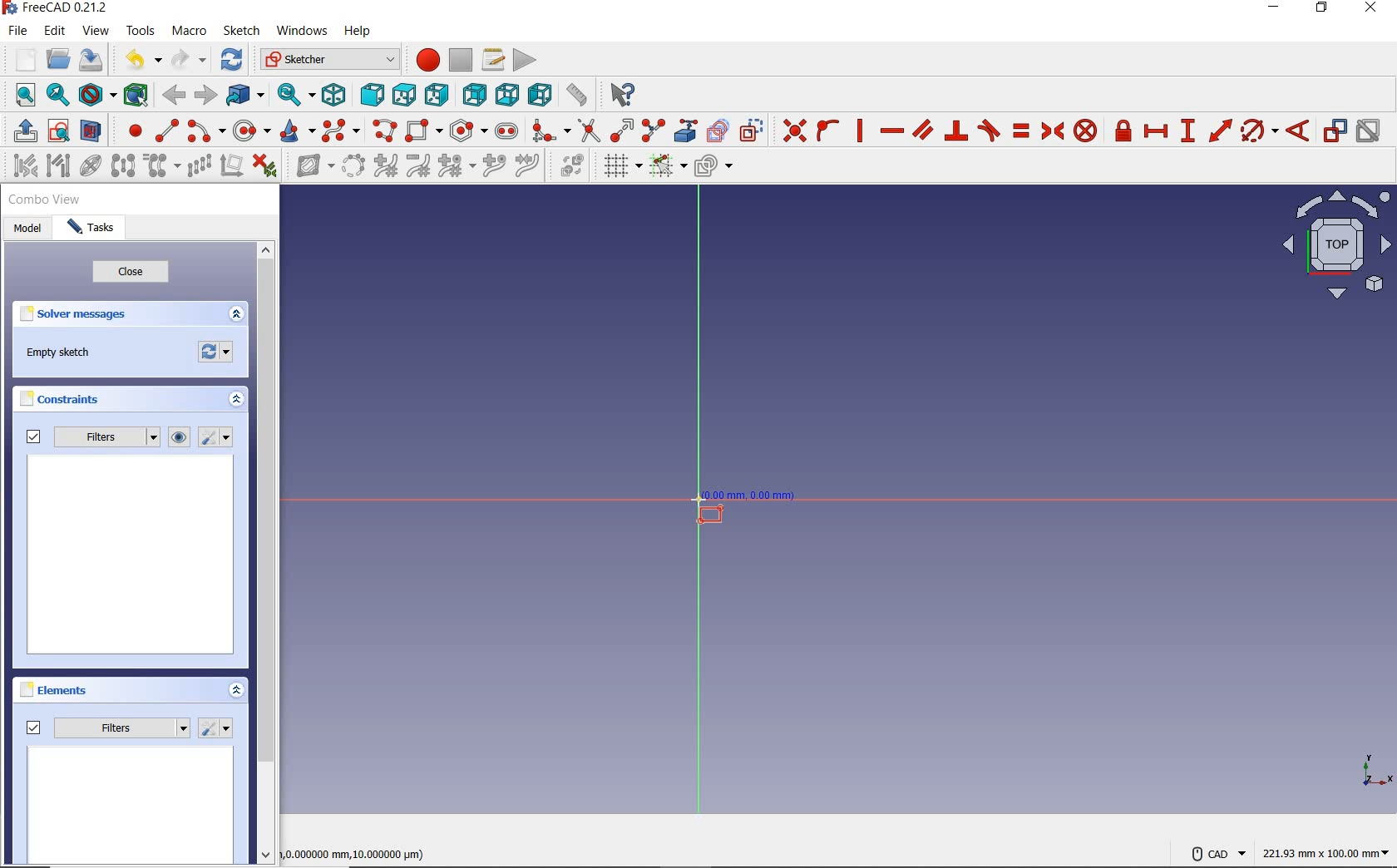  Describe the element at coordinates (21, 131) in the screenshot. I see `leave sketch` at that location.